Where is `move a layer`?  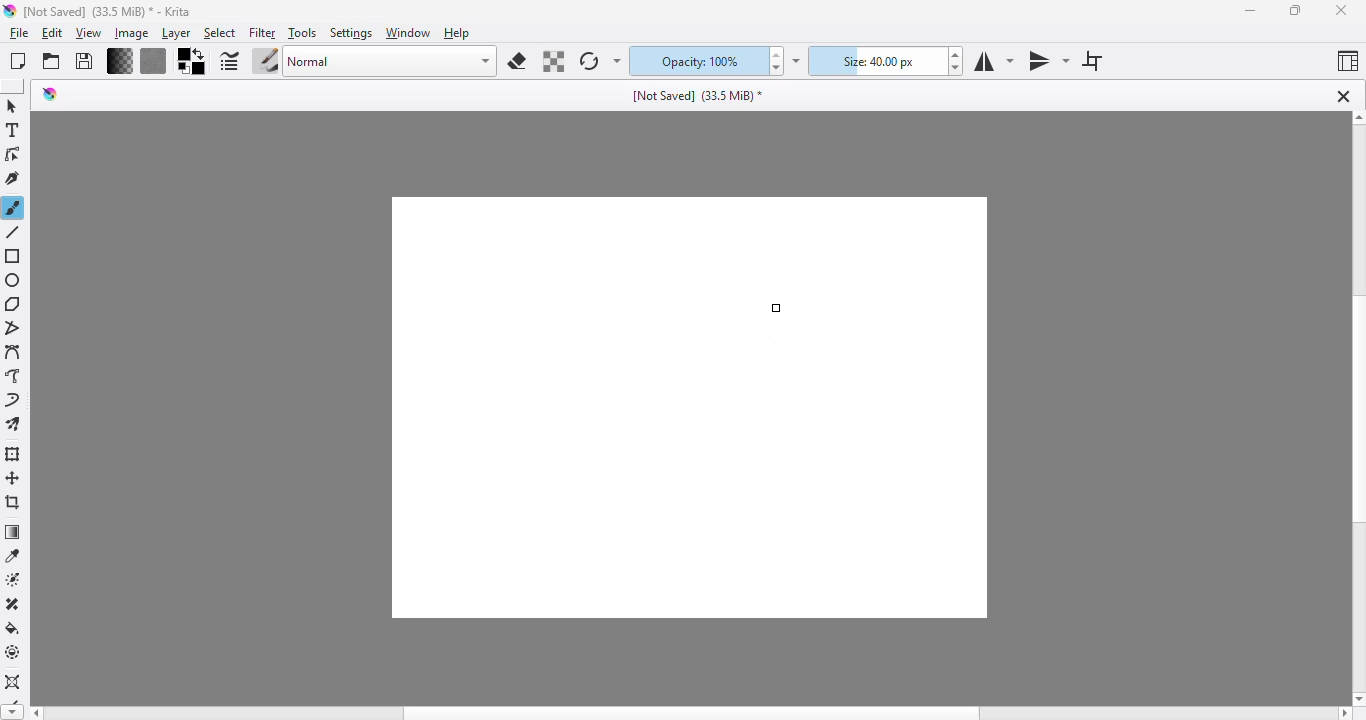
move a layer is located at coordinates (13, 479).